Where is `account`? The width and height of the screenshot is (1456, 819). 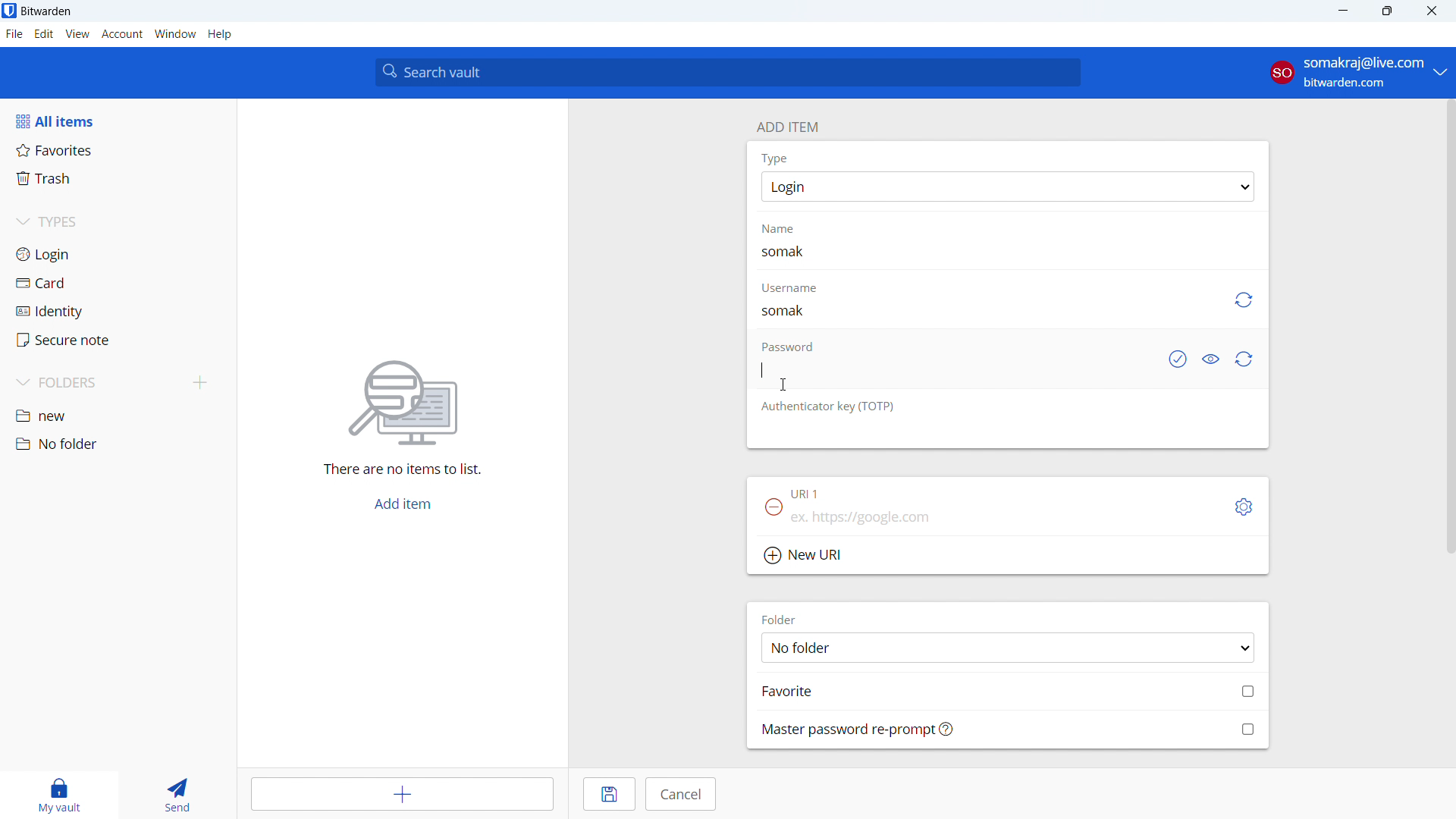 account is located at coordinates (1357, 73).